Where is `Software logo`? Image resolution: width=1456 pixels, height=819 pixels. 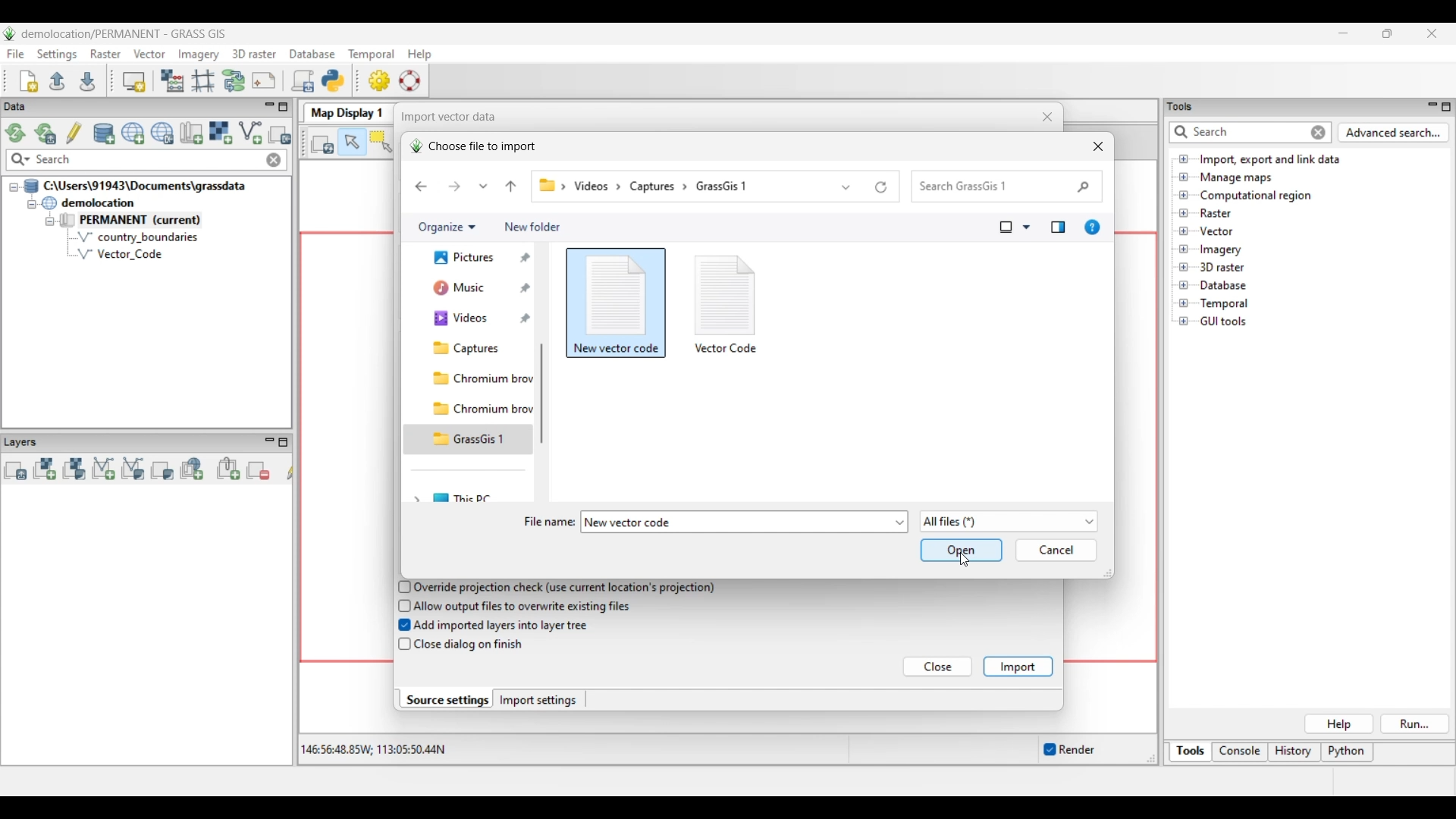 Software logo is located at coordinates (10, 33).